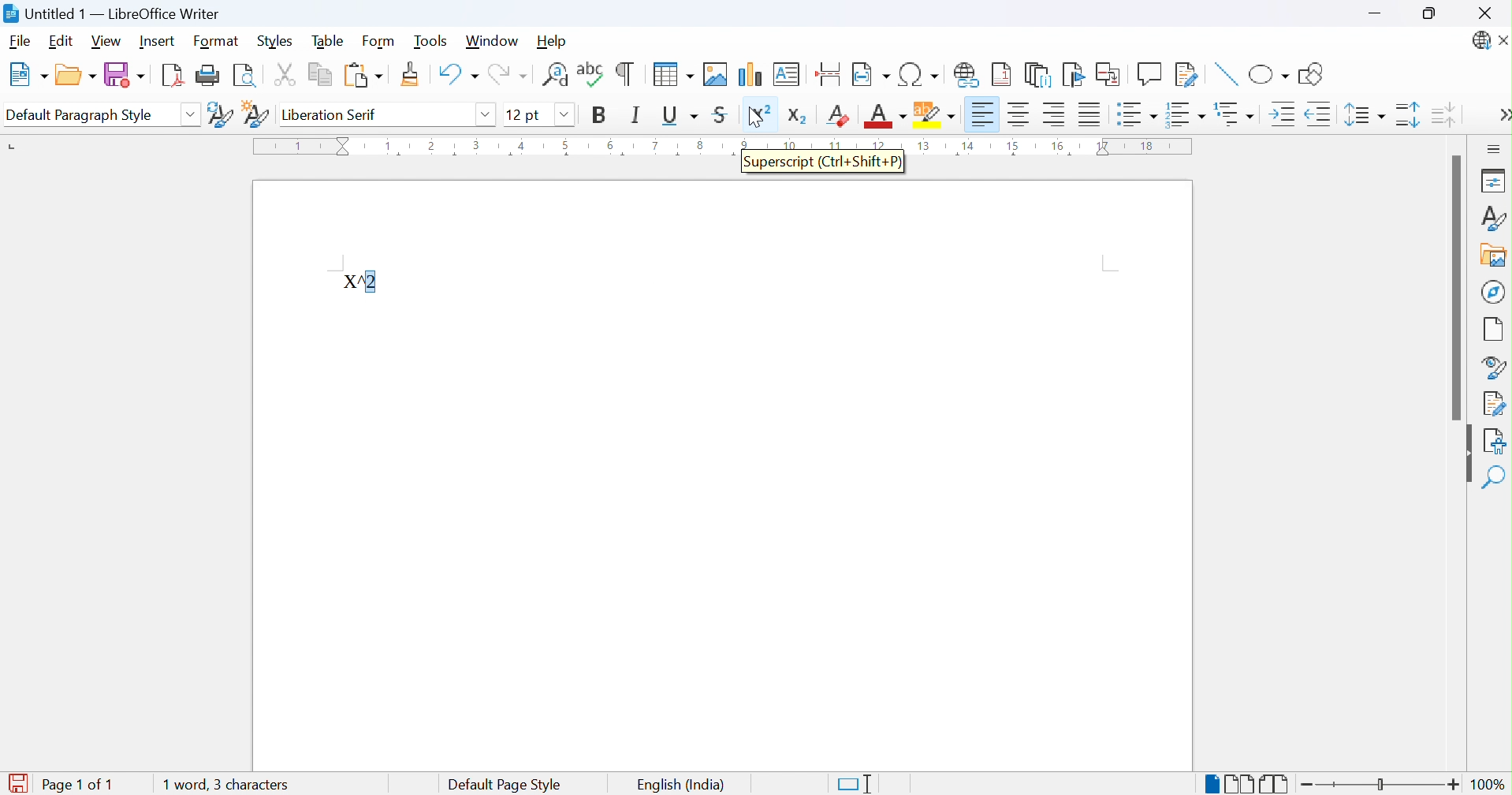  Describe the element at coordinates (226, 784) in the screenshot. I see `0 words, 0 characters` at that location.